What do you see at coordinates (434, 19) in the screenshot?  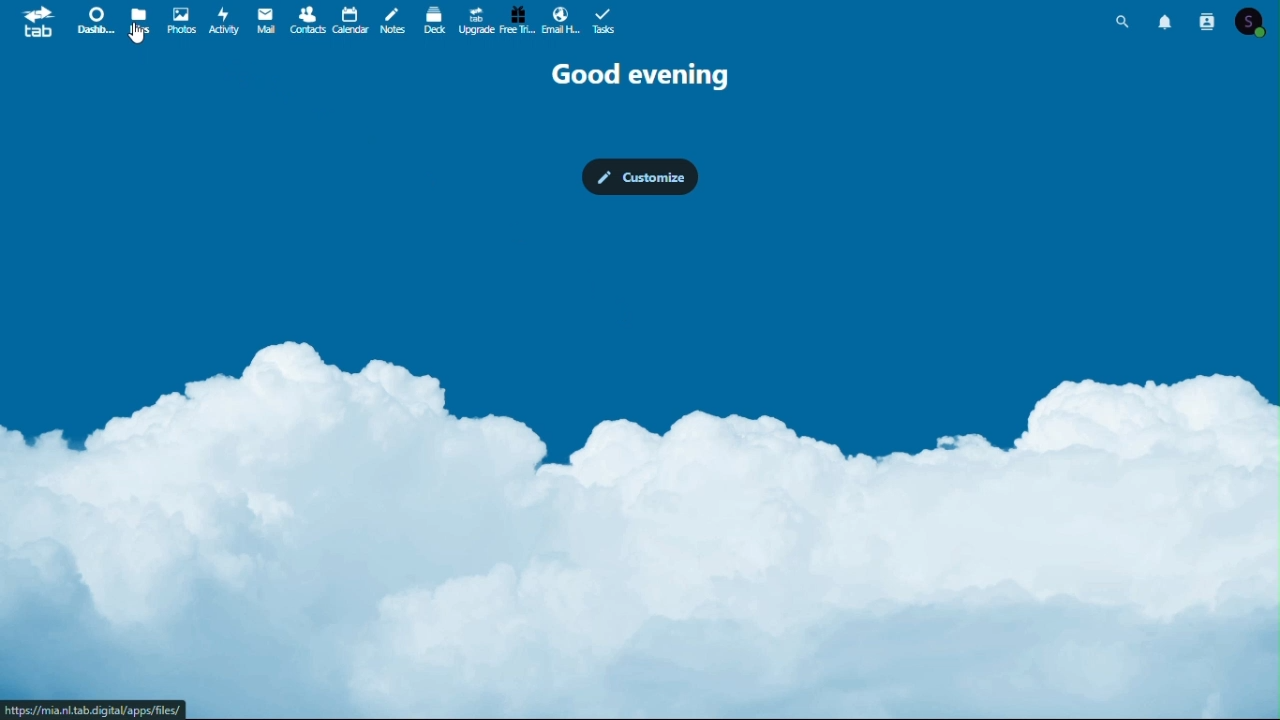 I see `deck` at bounding box center [434, 19].